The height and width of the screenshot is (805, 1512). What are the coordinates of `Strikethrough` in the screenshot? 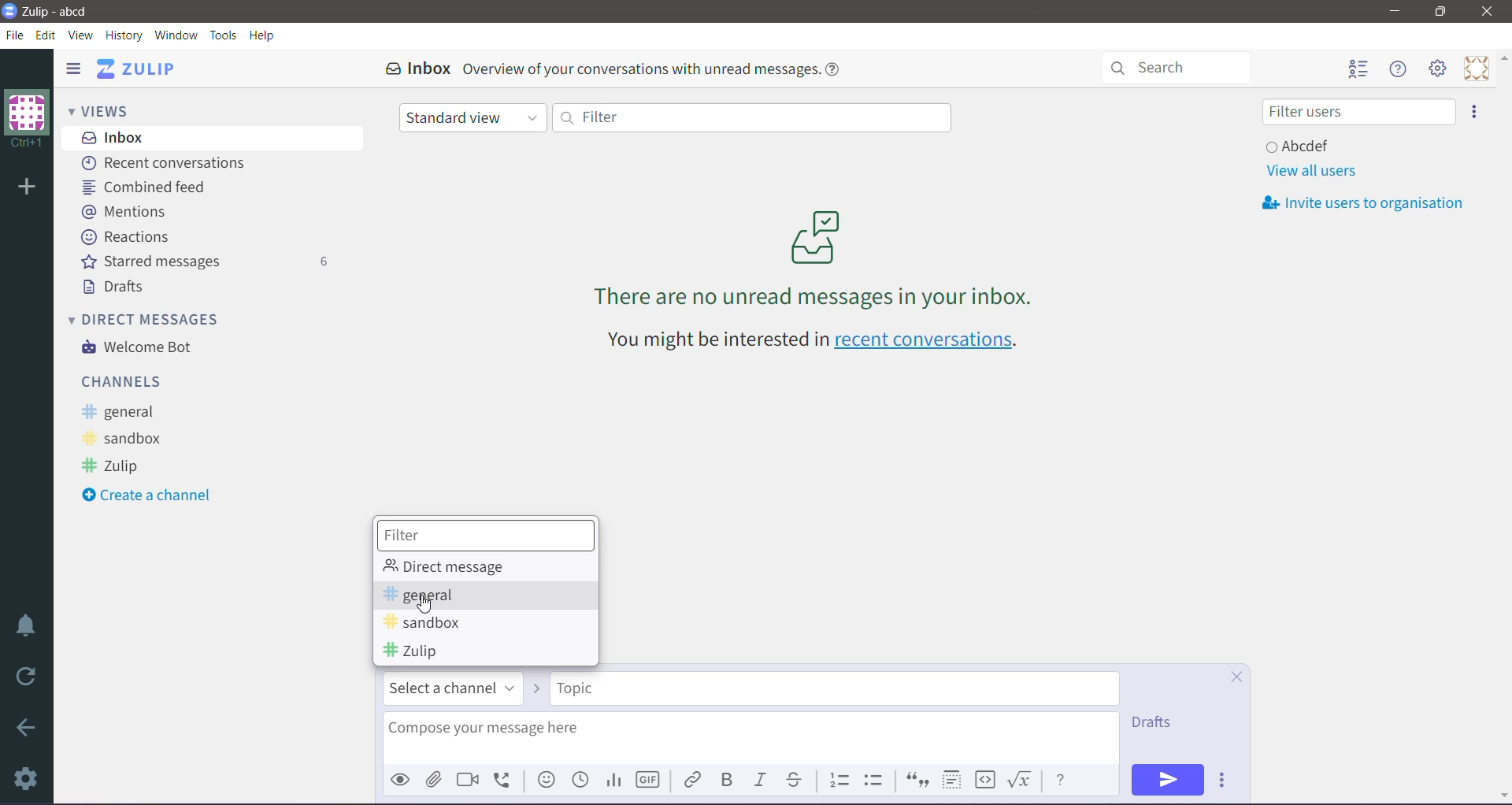 It's located at (795, 780).